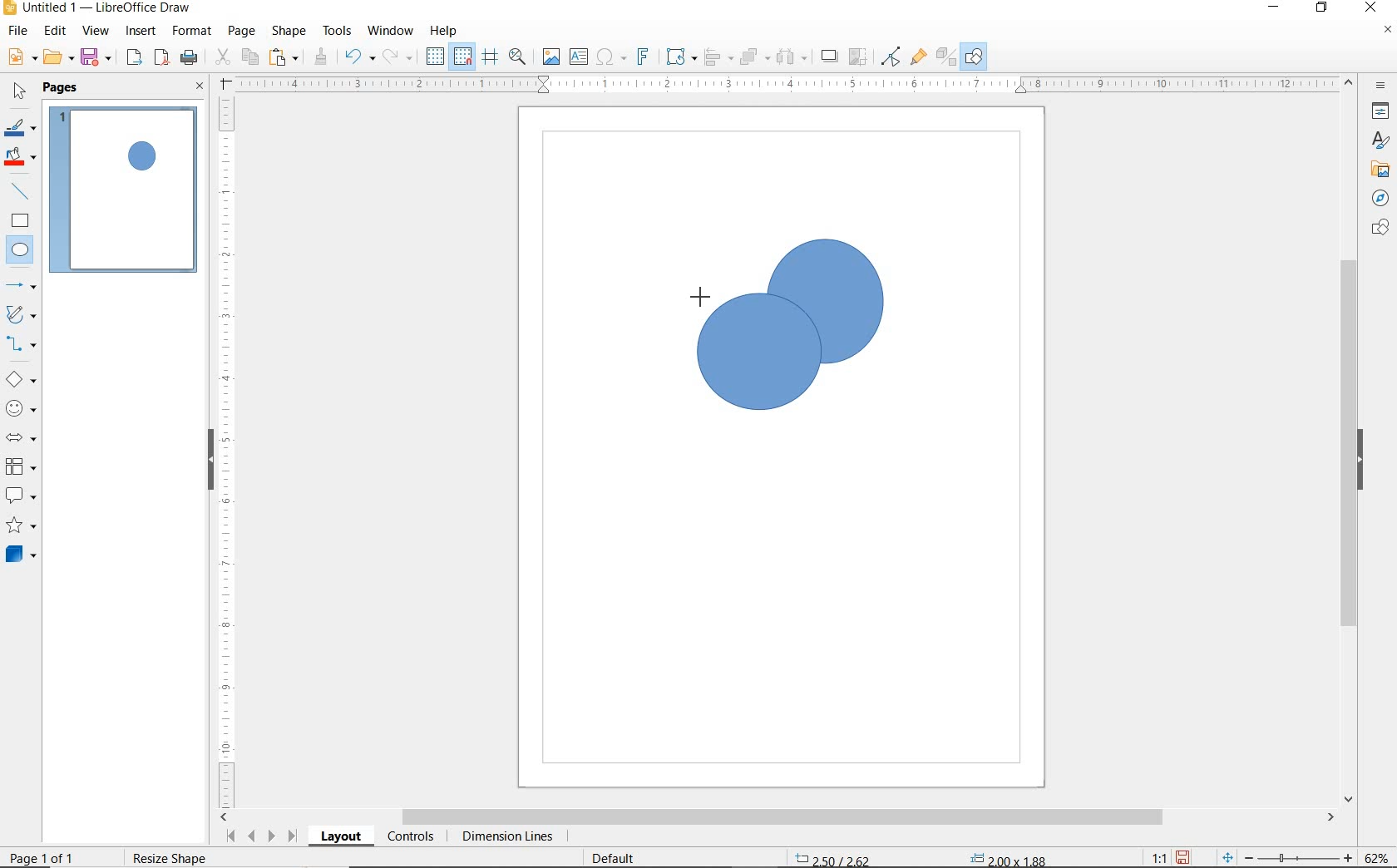 This screenshot has height=868, width=1397. What do you see at coordinates (340, 839) in the screenshot?
I see `LAYOUT` at bounding box center [340, 839].